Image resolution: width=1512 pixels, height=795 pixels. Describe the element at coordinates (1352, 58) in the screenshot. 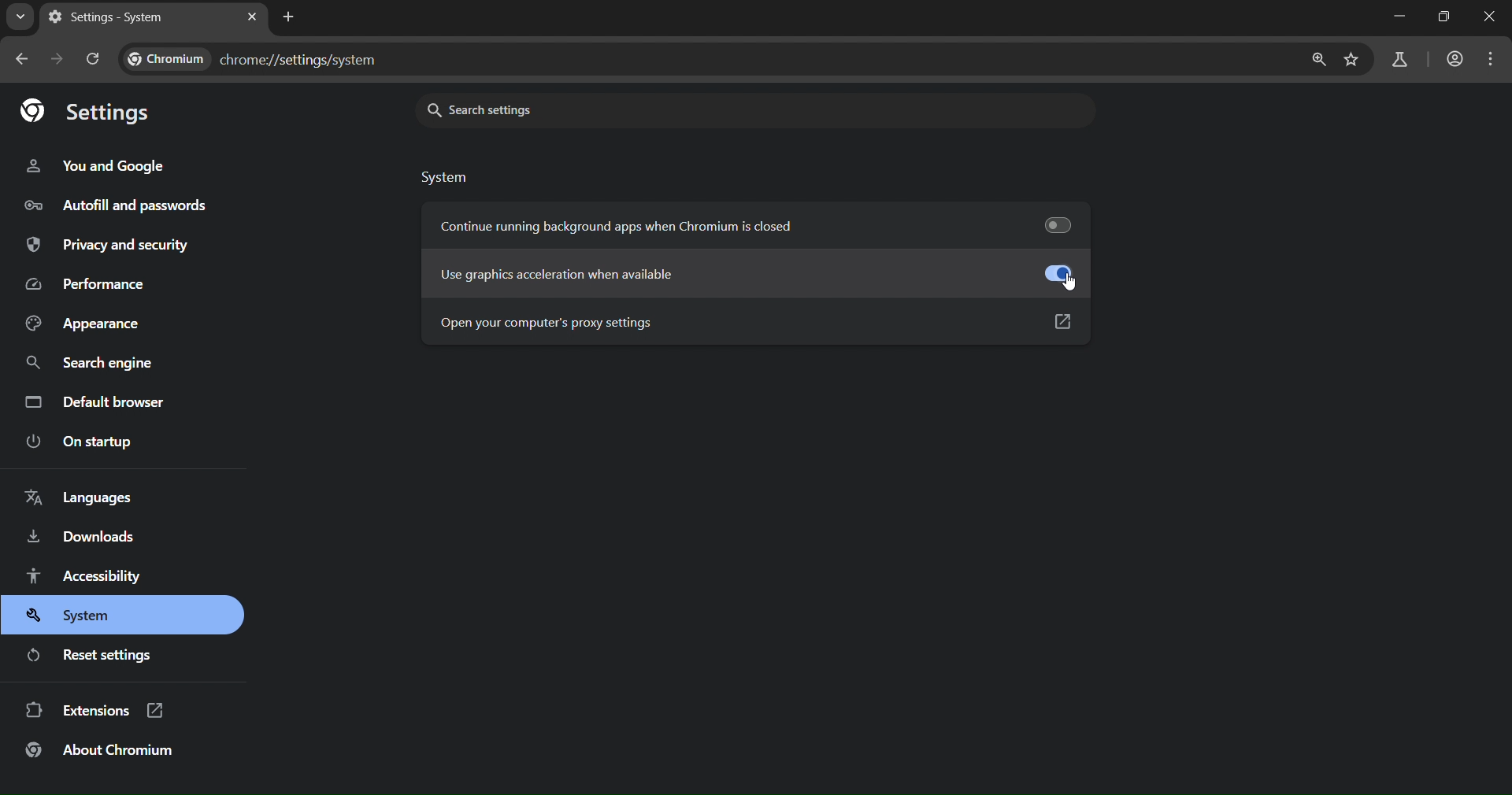

I see `bookmark page` at that location.